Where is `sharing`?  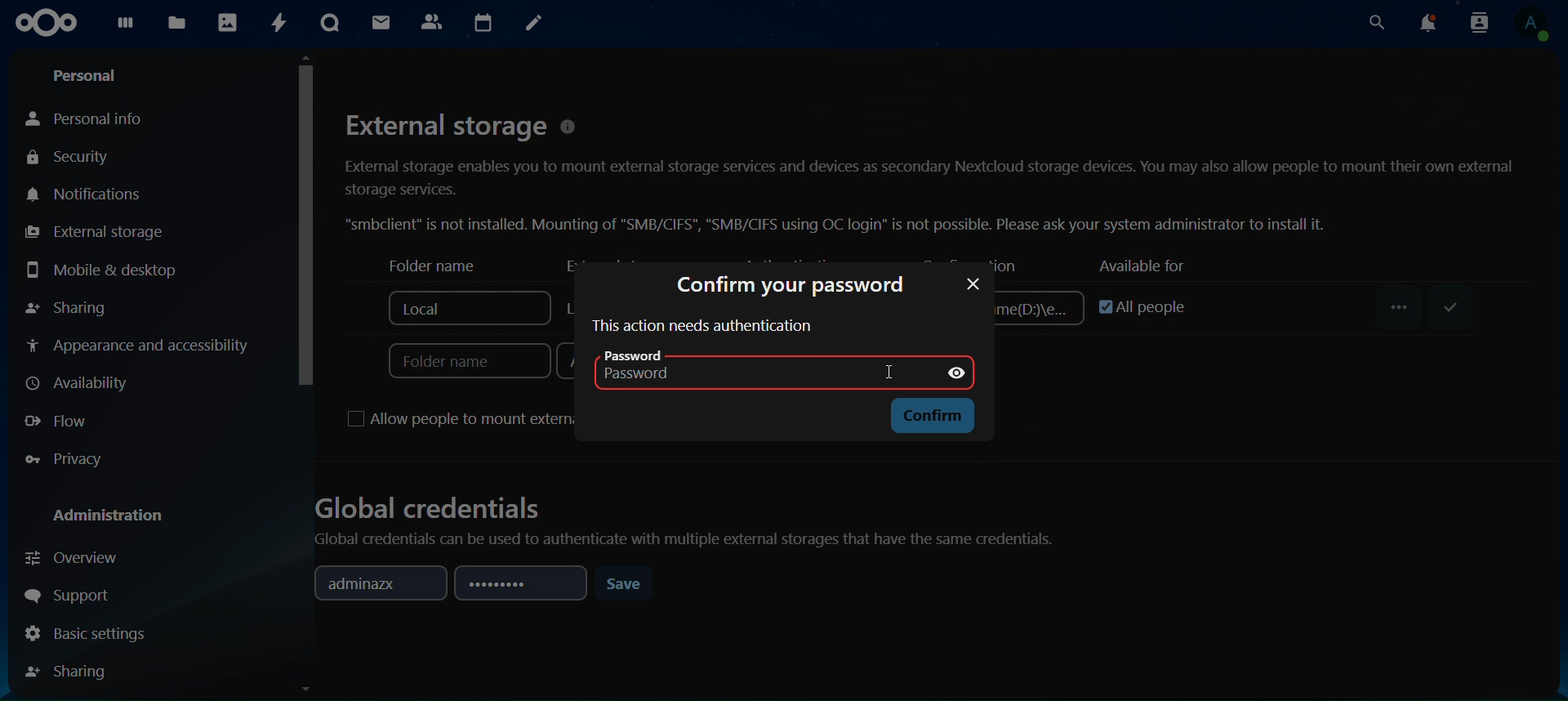
sharing is located at coordinates (72, 671).